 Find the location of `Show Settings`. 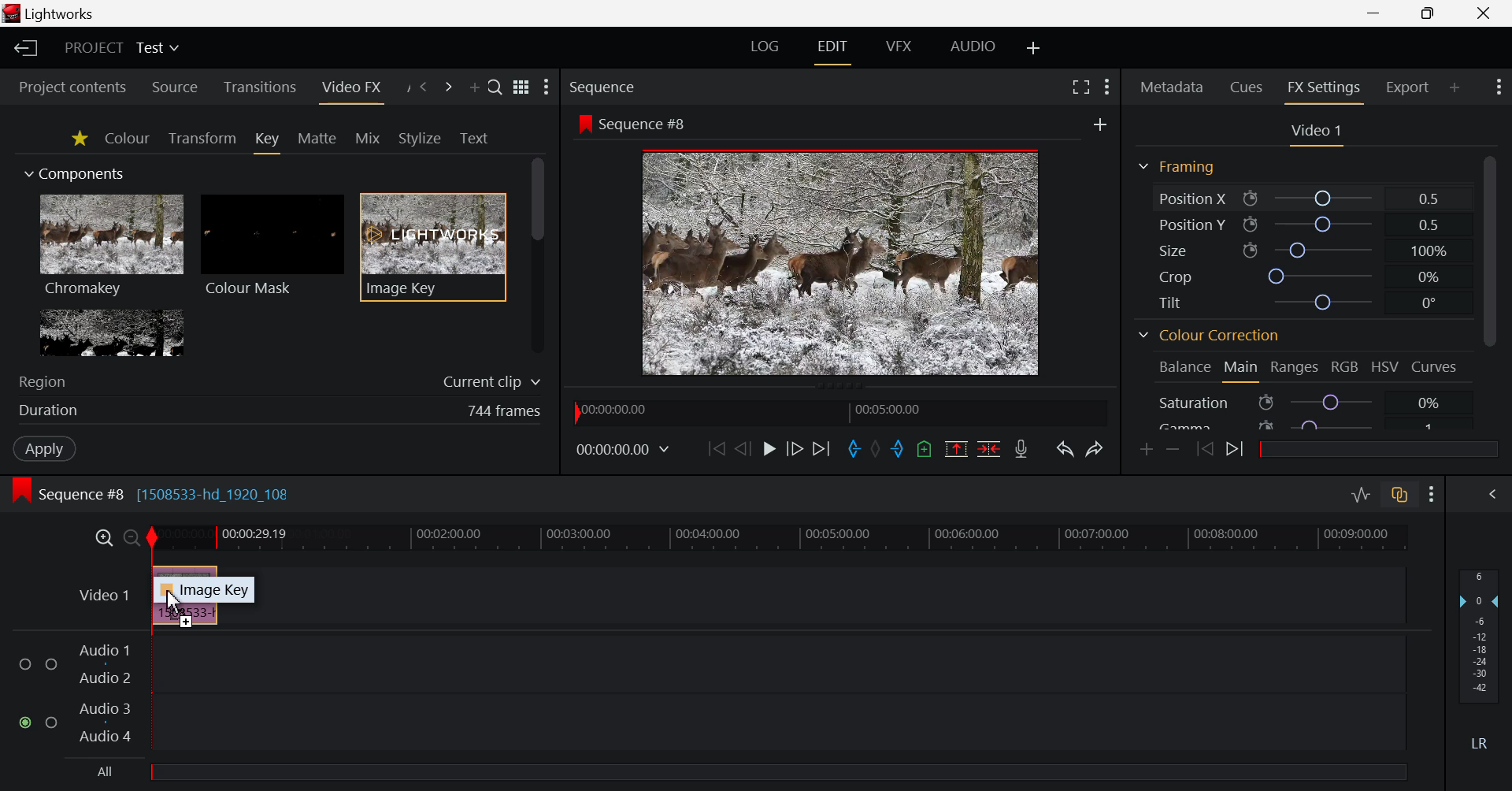

Show Settings is located at coordinates (1498, 87).